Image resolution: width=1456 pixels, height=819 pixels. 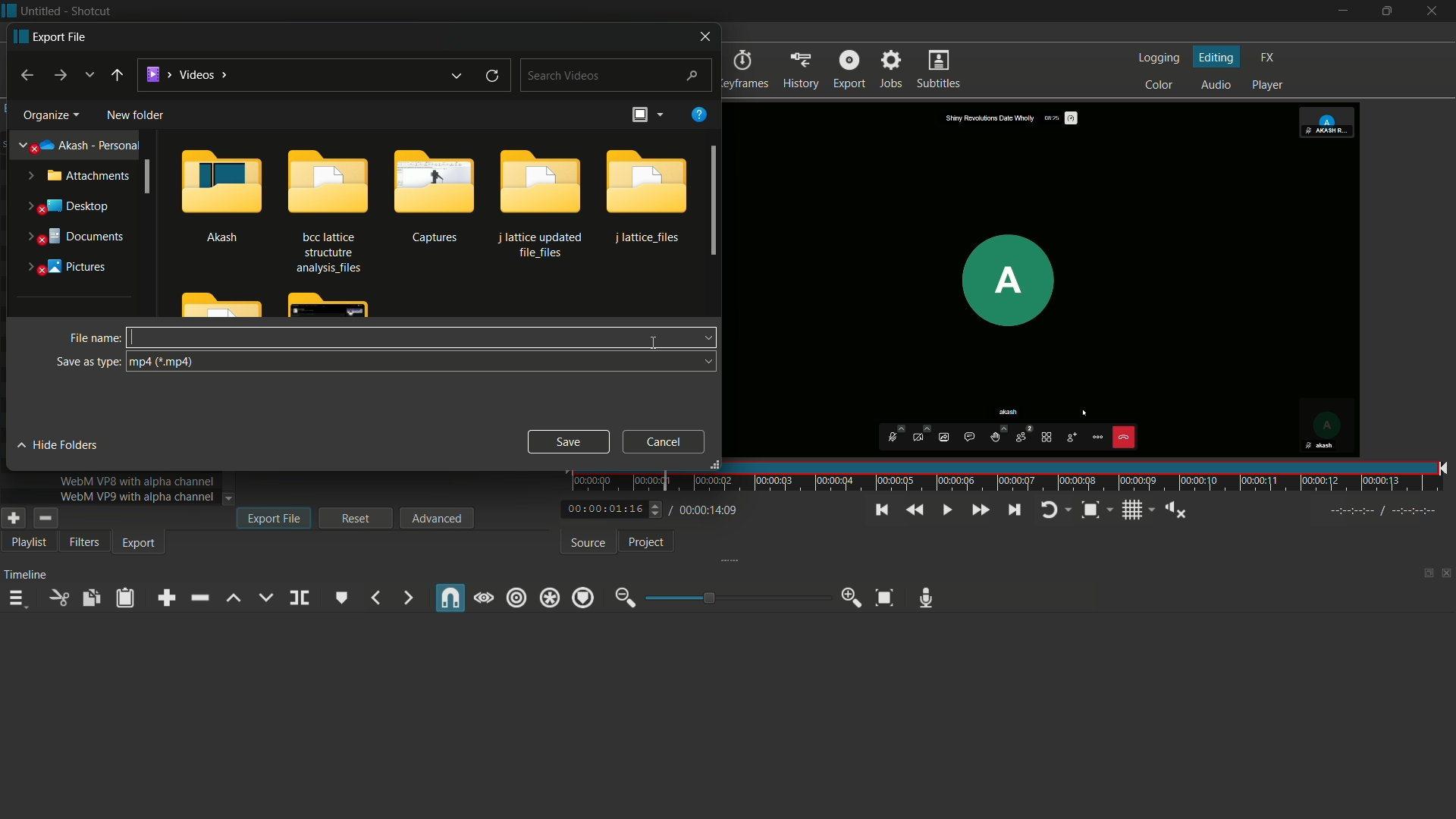 I want to click on file name, so click(x=93, y=338).